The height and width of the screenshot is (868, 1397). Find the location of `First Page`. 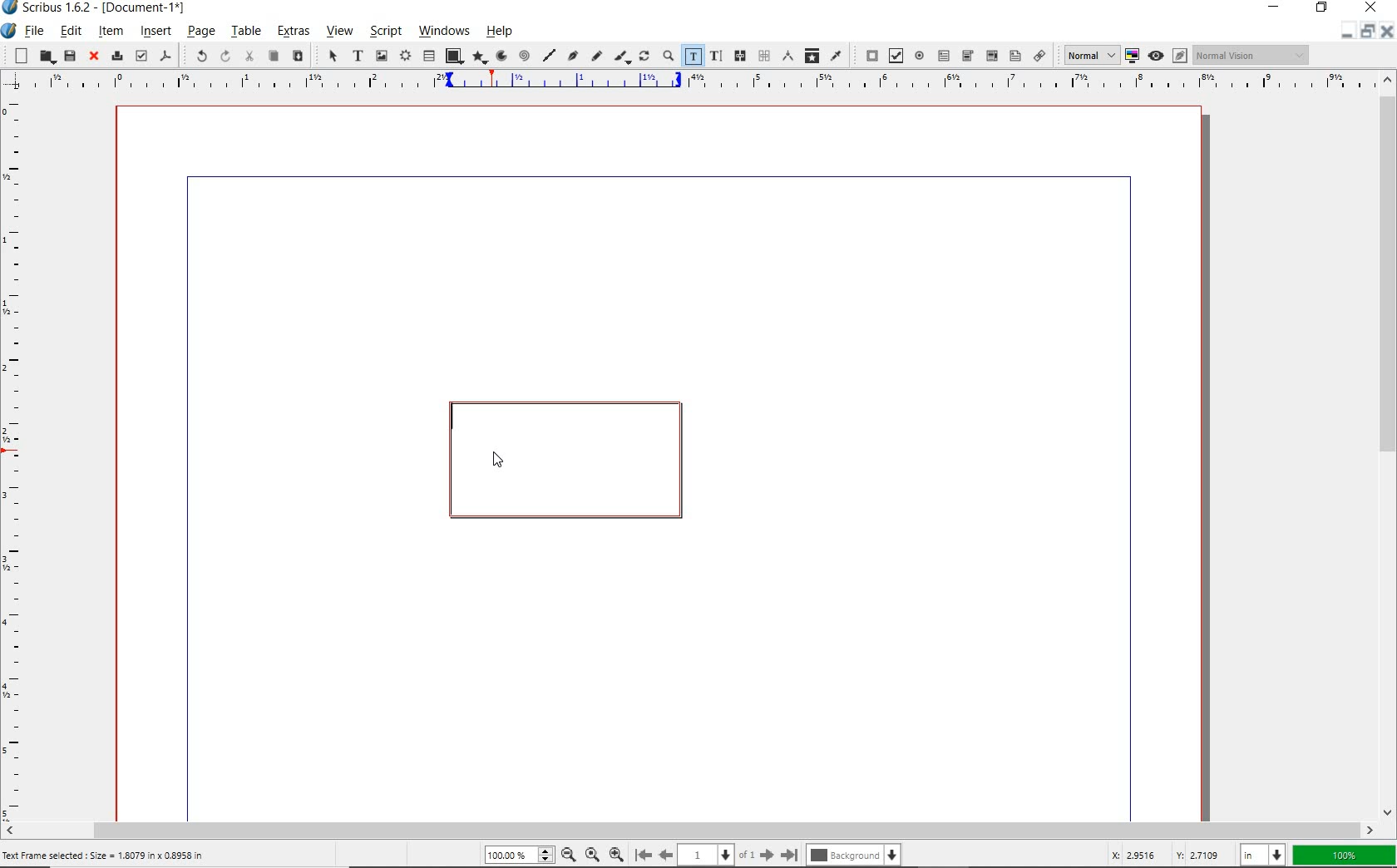

First Page is located at coordinates (644, 856).